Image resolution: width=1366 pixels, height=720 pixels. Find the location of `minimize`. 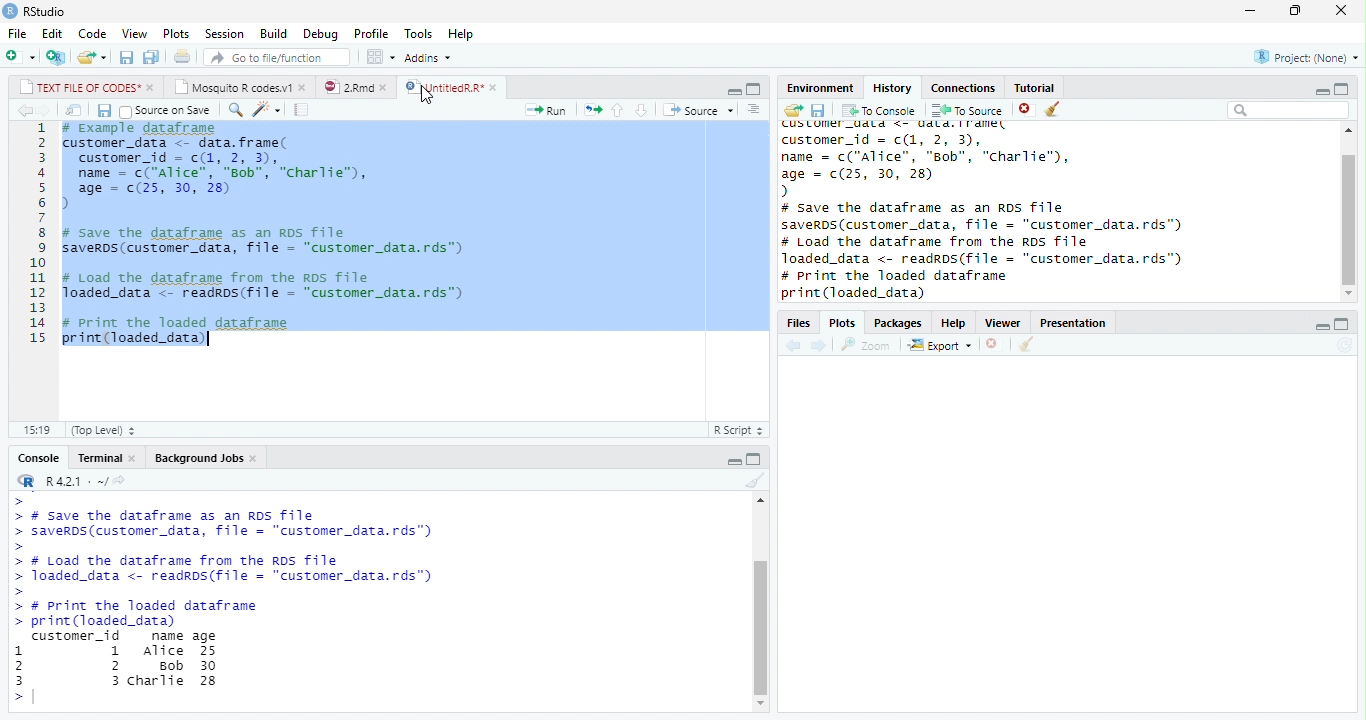

minimize is located at coordinates (1250, 10).